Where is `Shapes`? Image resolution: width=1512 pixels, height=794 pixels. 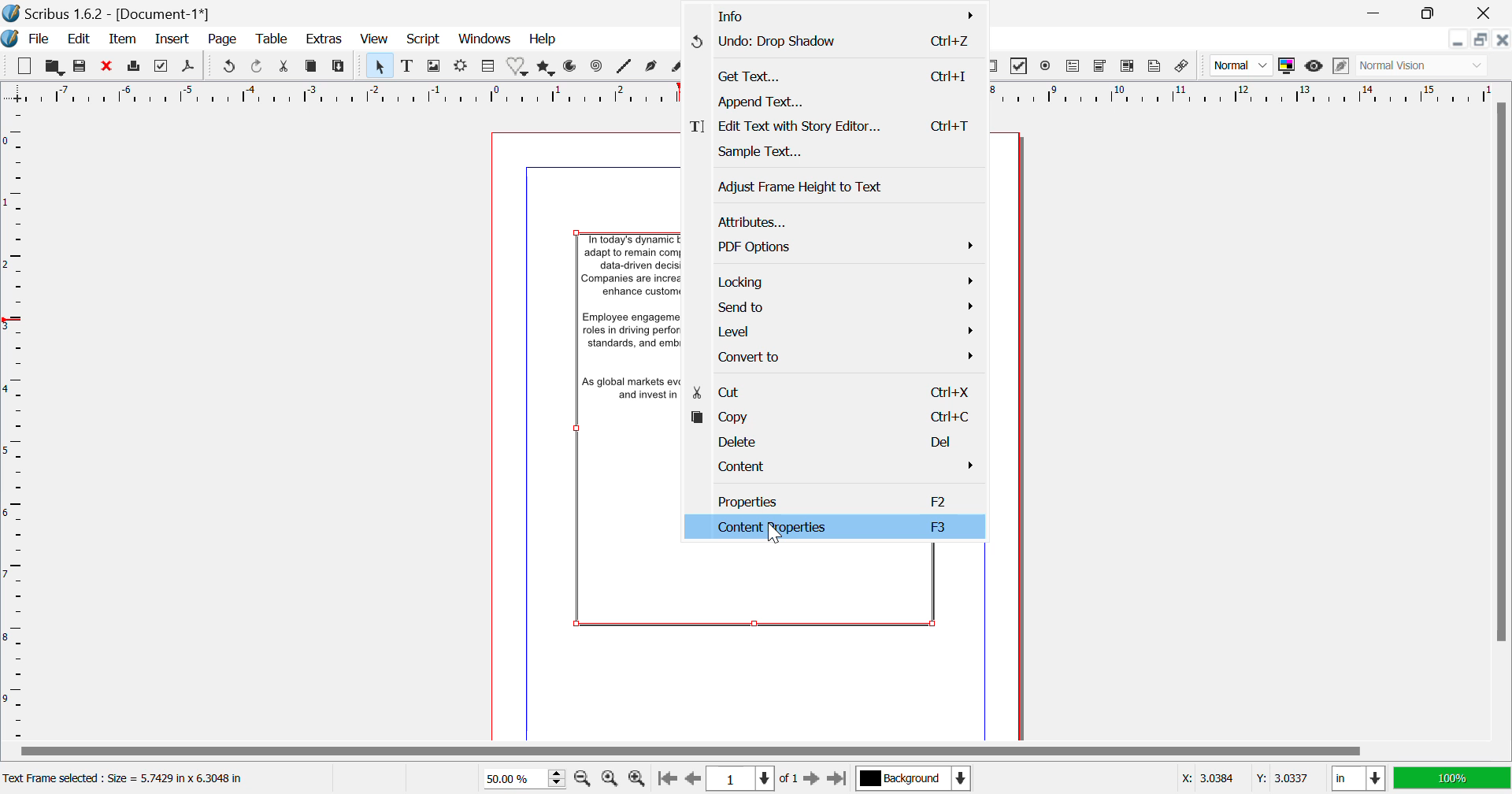 Shapes is located at coordinates (518, 66).